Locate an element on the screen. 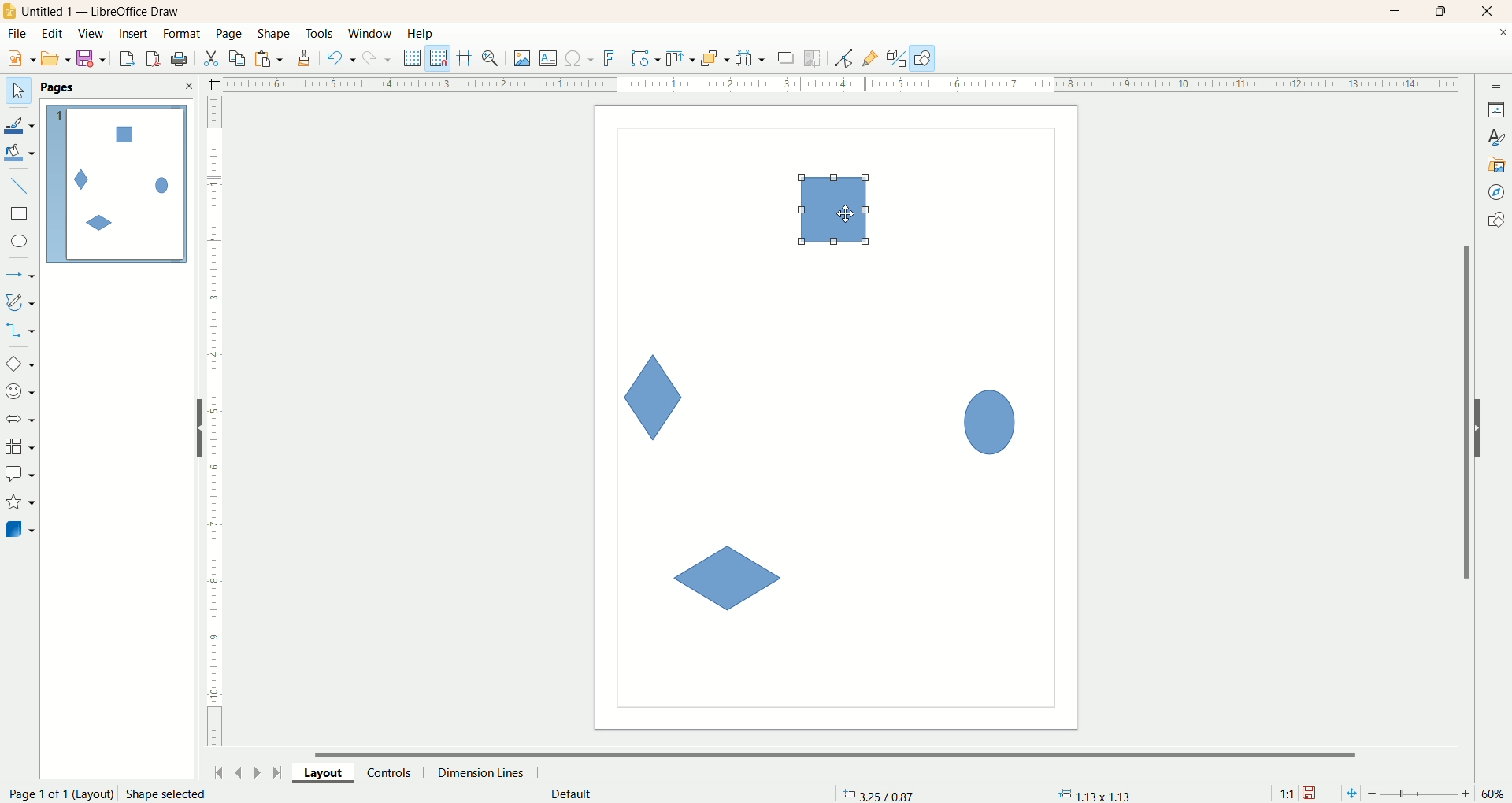 The image size is (1512, 803). insert line is located at coordinates (22, 187).